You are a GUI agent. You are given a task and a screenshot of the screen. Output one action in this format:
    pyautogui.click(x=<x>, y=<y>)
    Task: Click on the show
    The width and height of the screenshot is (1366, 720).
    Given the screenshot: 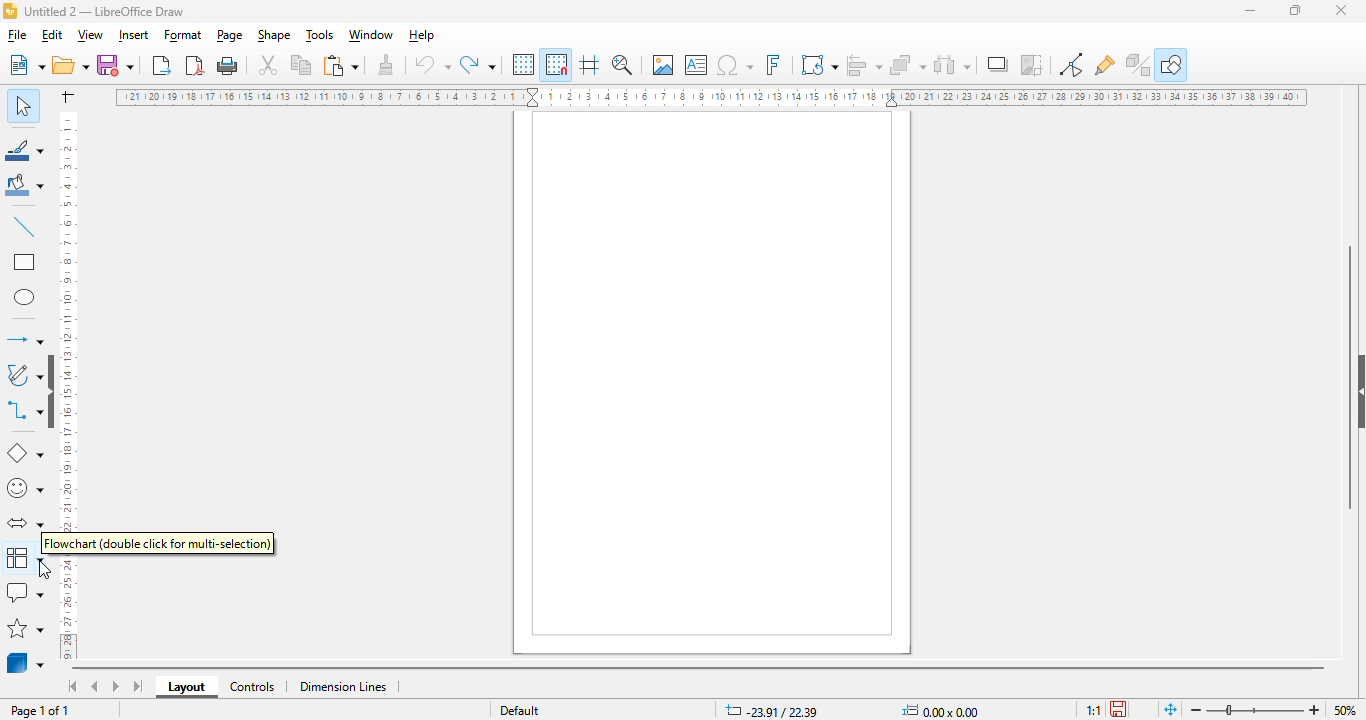 What is the action you would take?
    pyautogui.click(x=53, y=392)
    